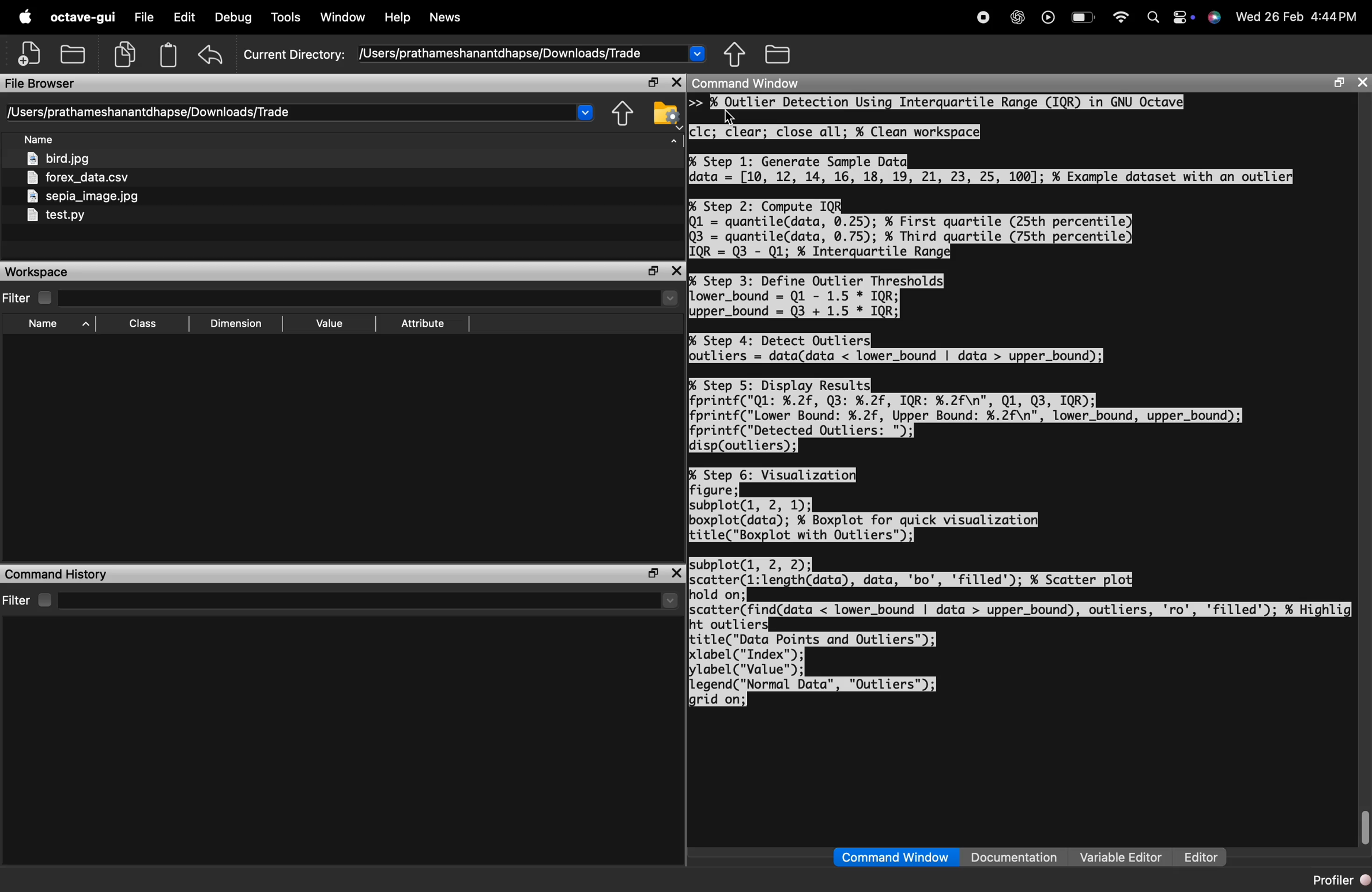 Image resolution: width=1372 pixels, height=892 pixels. Describe the element at coordinates (1365, 827) in the screenshot. I see `scrollbar` at that location.